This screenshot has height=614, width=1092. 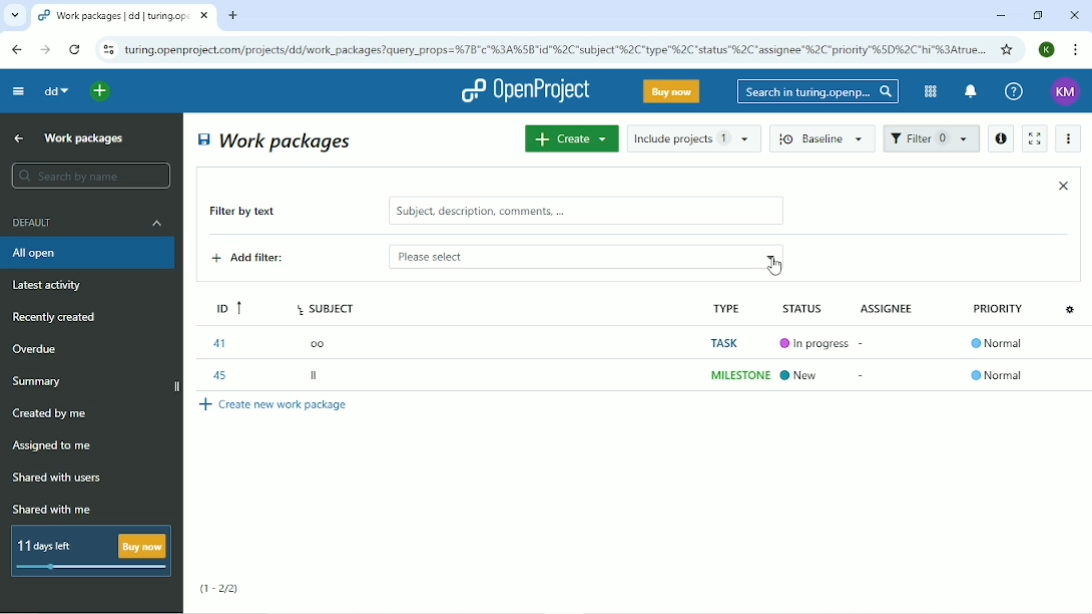 What do you see at coordinates (108, 50) in the screenshot?
I see `View site information` at bounding box center [108, 50].